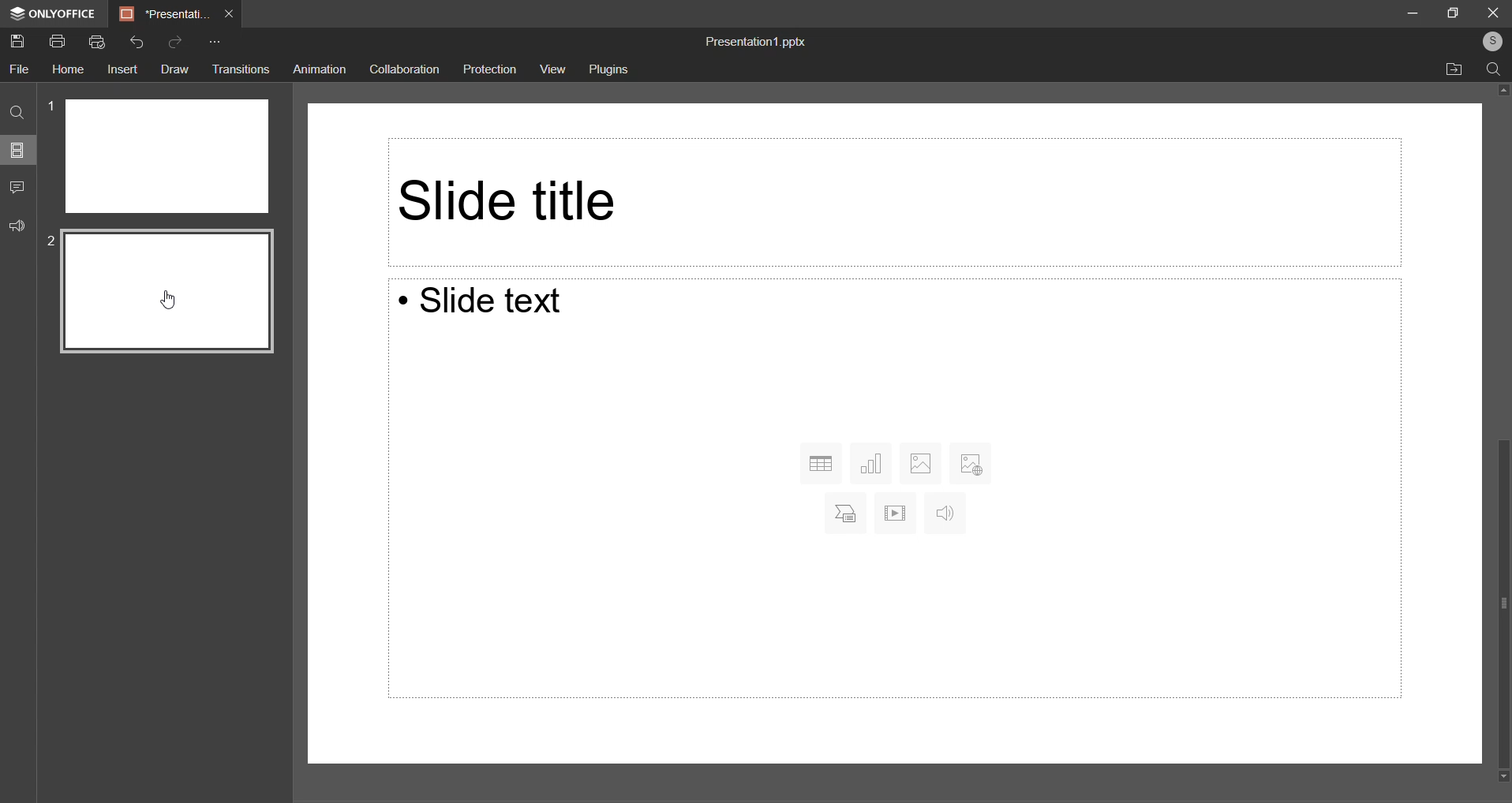  Describe the element at coordinates (754, 42) in the screenshot. I see `Presentation1.pptx` at that location.